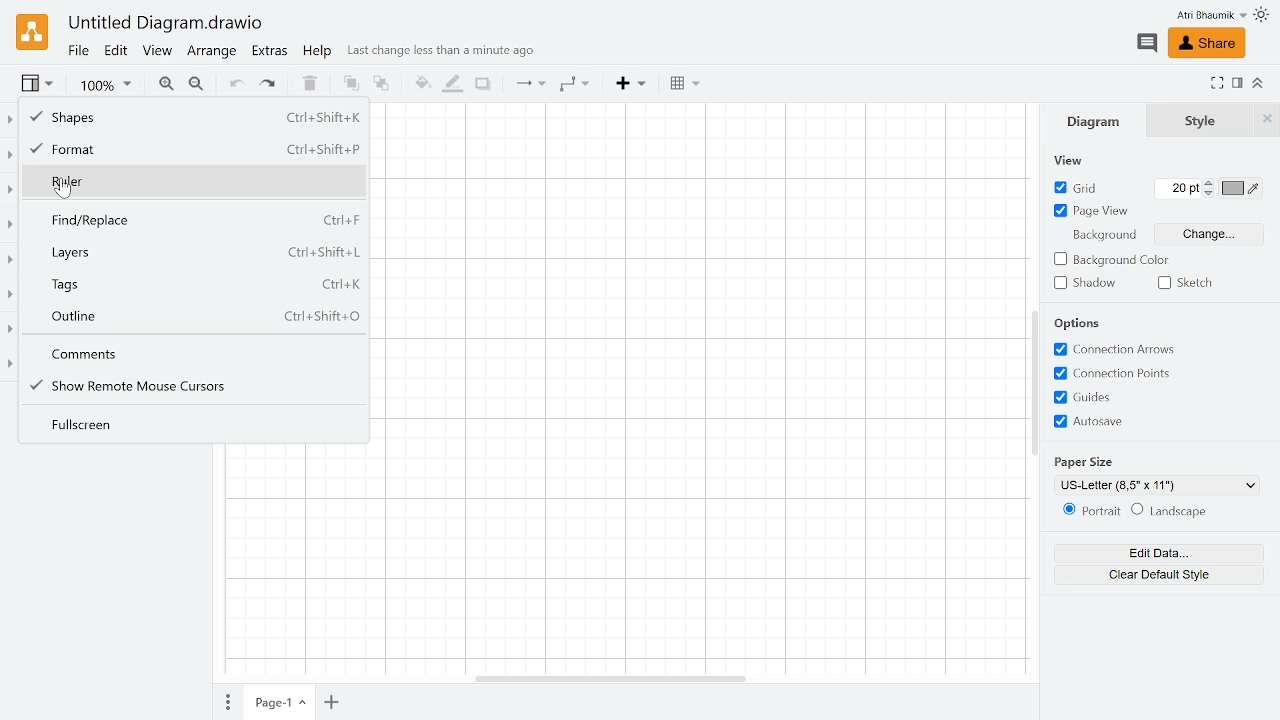 This screenshot has height=720, width=1280. I want to click on Extras, so click(271, 52).